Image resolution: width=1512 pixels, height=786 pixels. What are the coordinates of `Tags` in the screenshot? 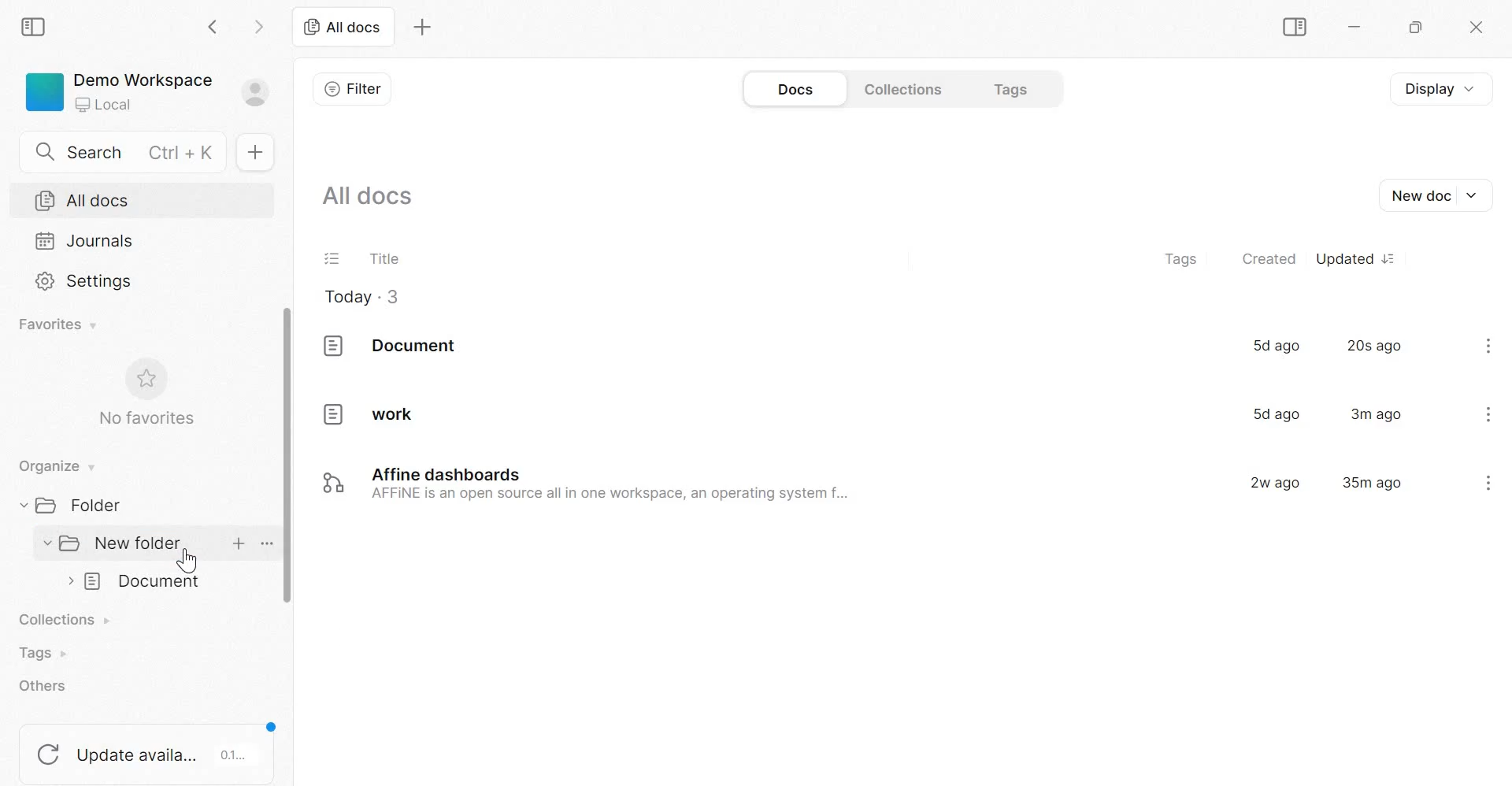 It's located at (1014, 89).